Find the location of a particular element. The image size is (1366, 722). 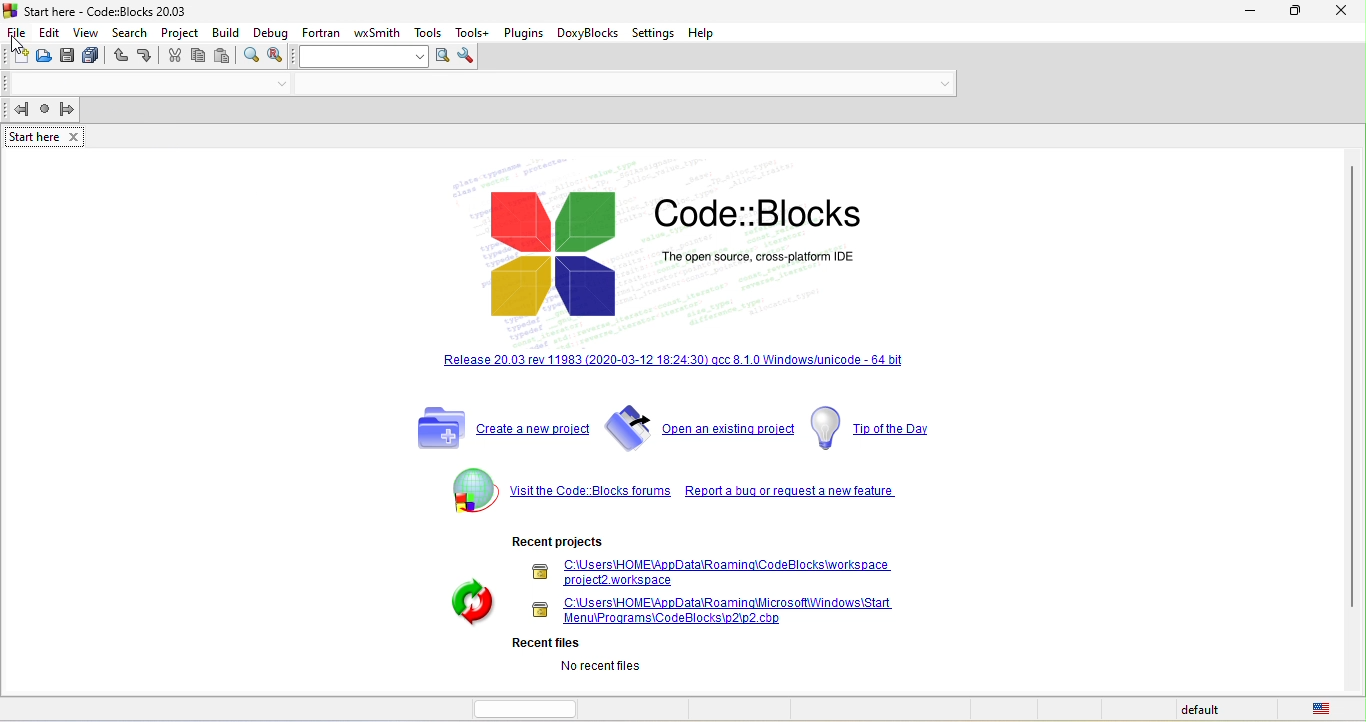

text to search is located at coordinates (364, 56).